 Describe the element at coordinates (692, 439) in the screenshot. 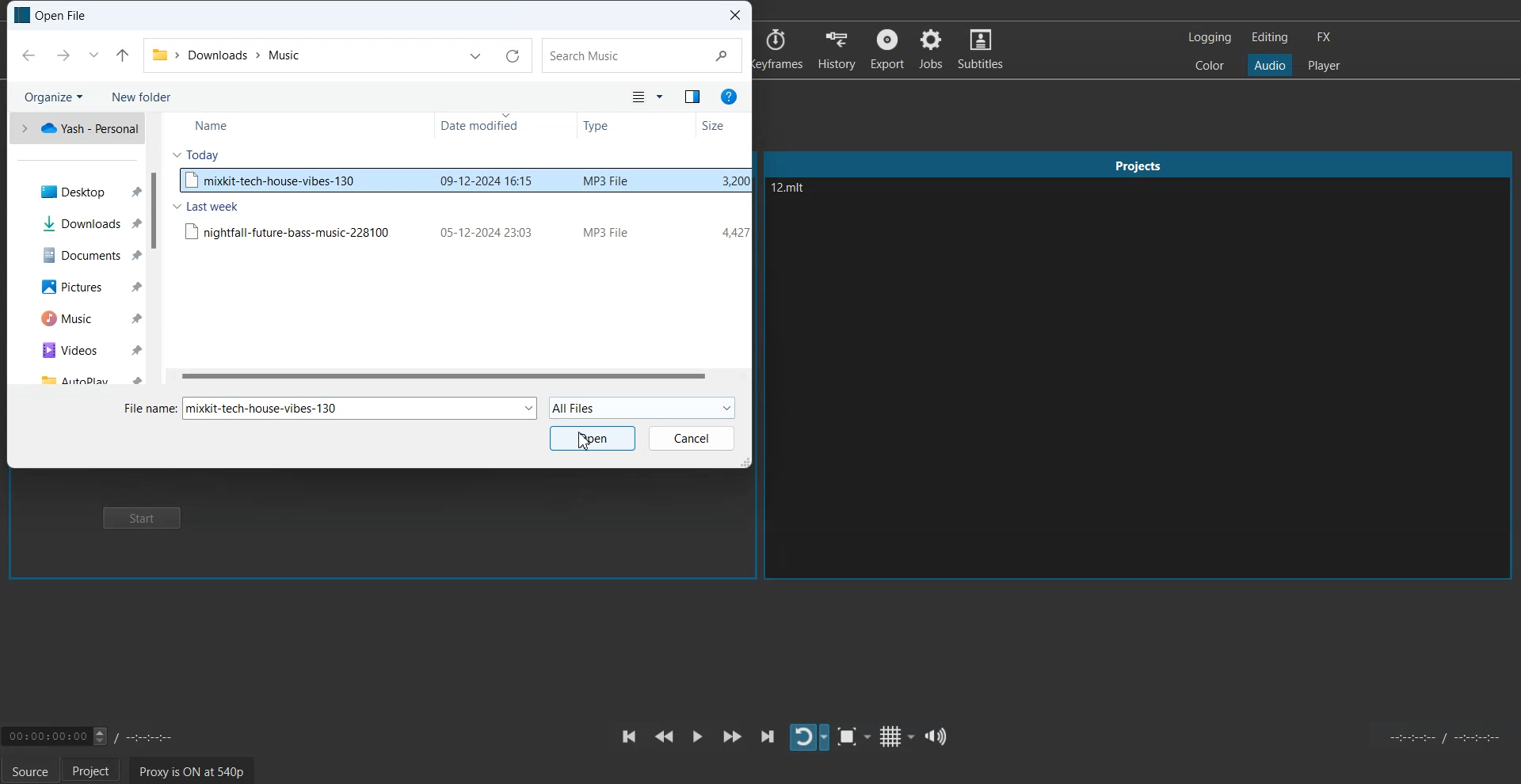

I see `Cancel` at that location.